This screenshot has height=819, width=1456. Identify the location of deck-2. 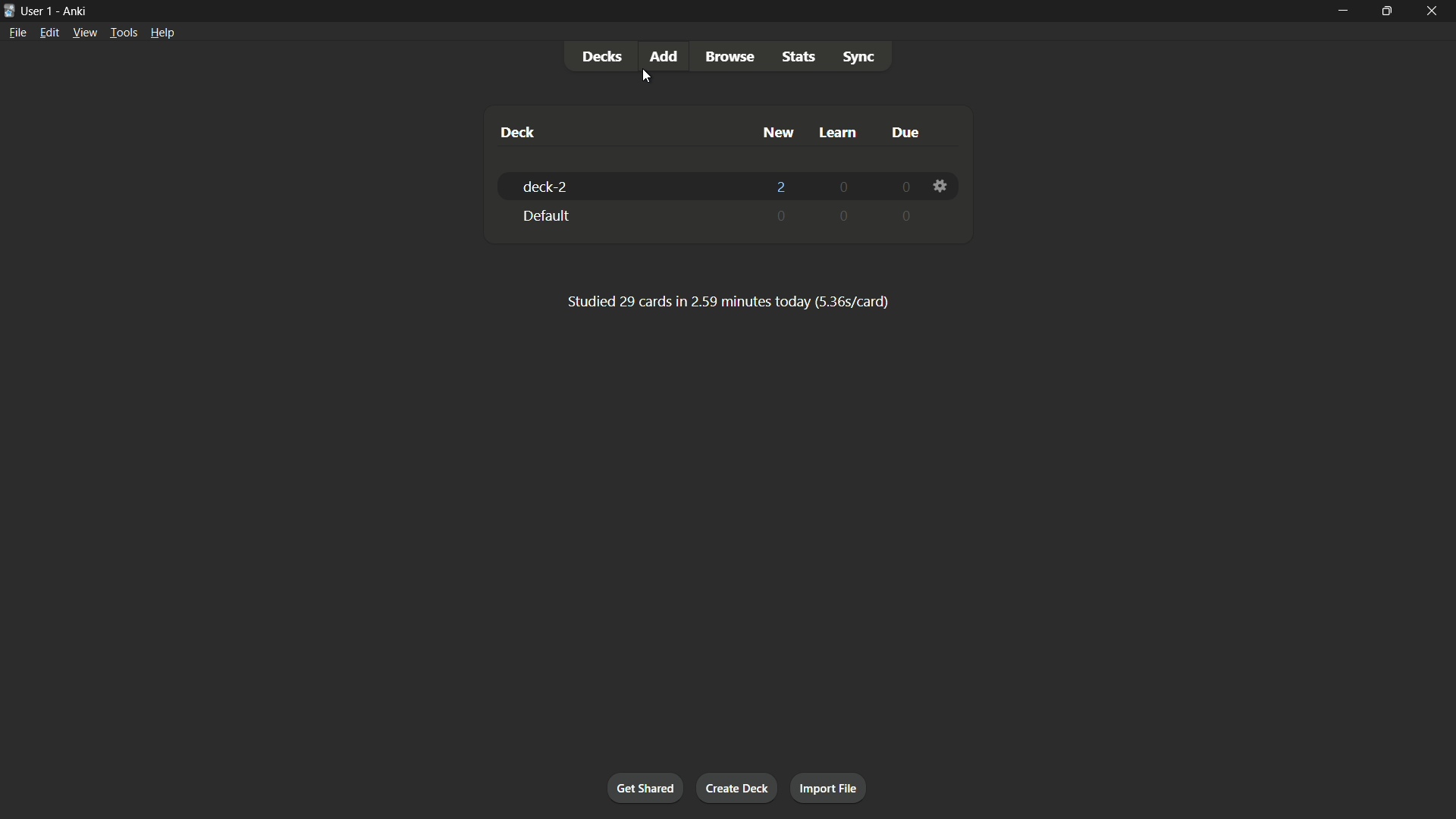
(545, 187).